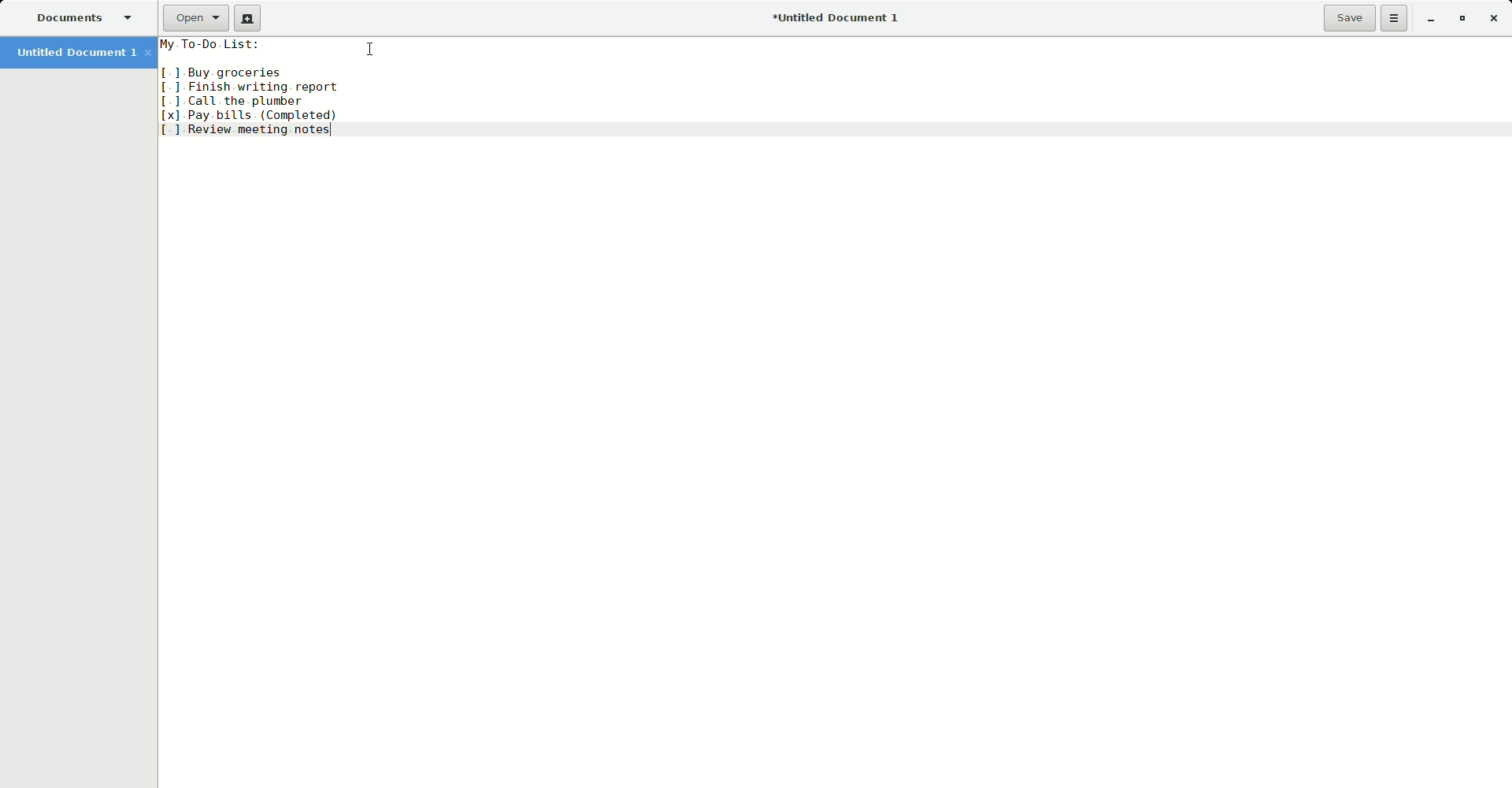 Image resolution: width=1512 pixels, height=788 pixels. Describe the element at coordinates (1348, 20) in the screenshot. I see `Save` at that location.